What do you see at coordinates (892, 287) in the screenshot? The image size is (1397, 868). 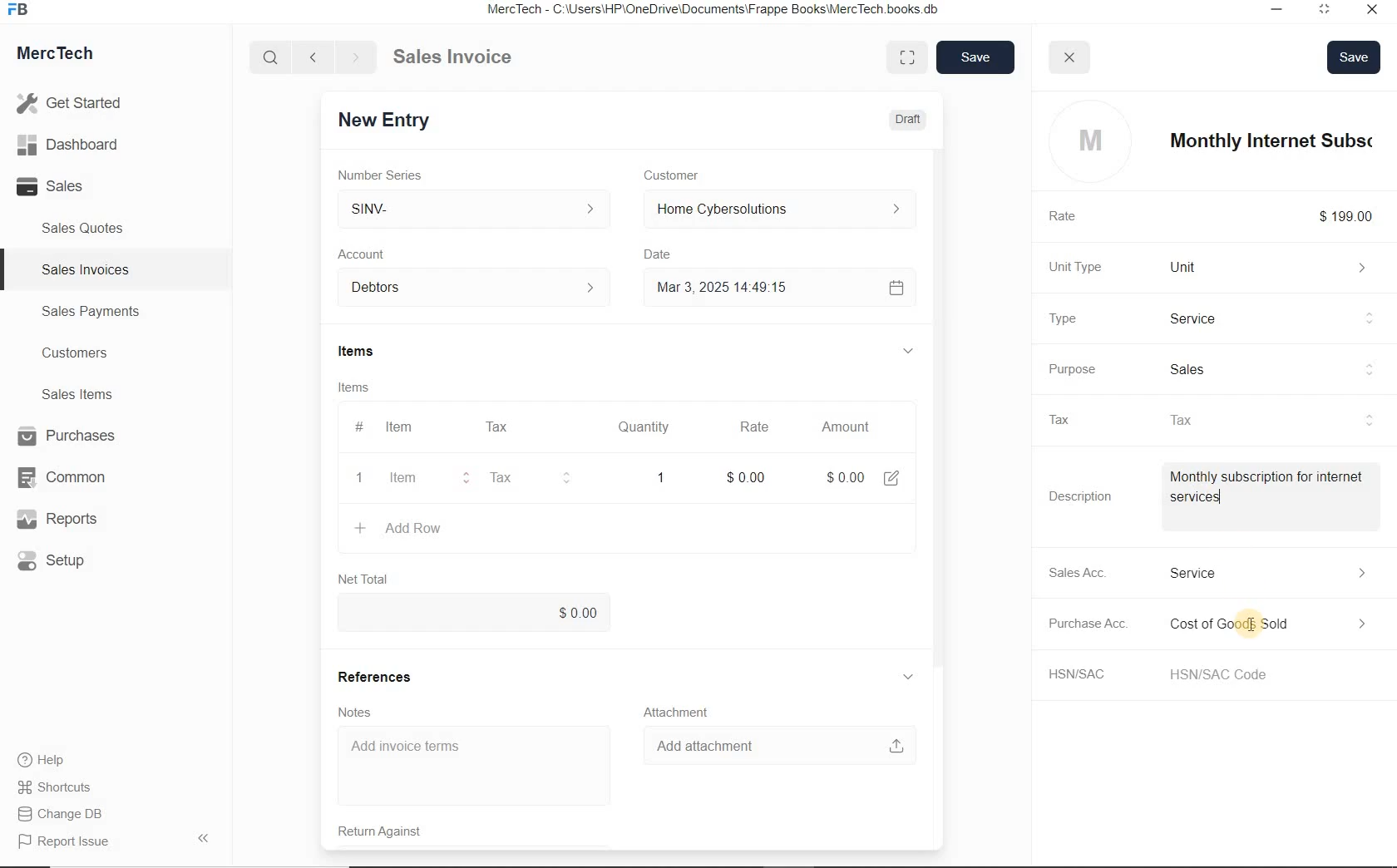 I see `Calendar` at bounding box center [892, 287].